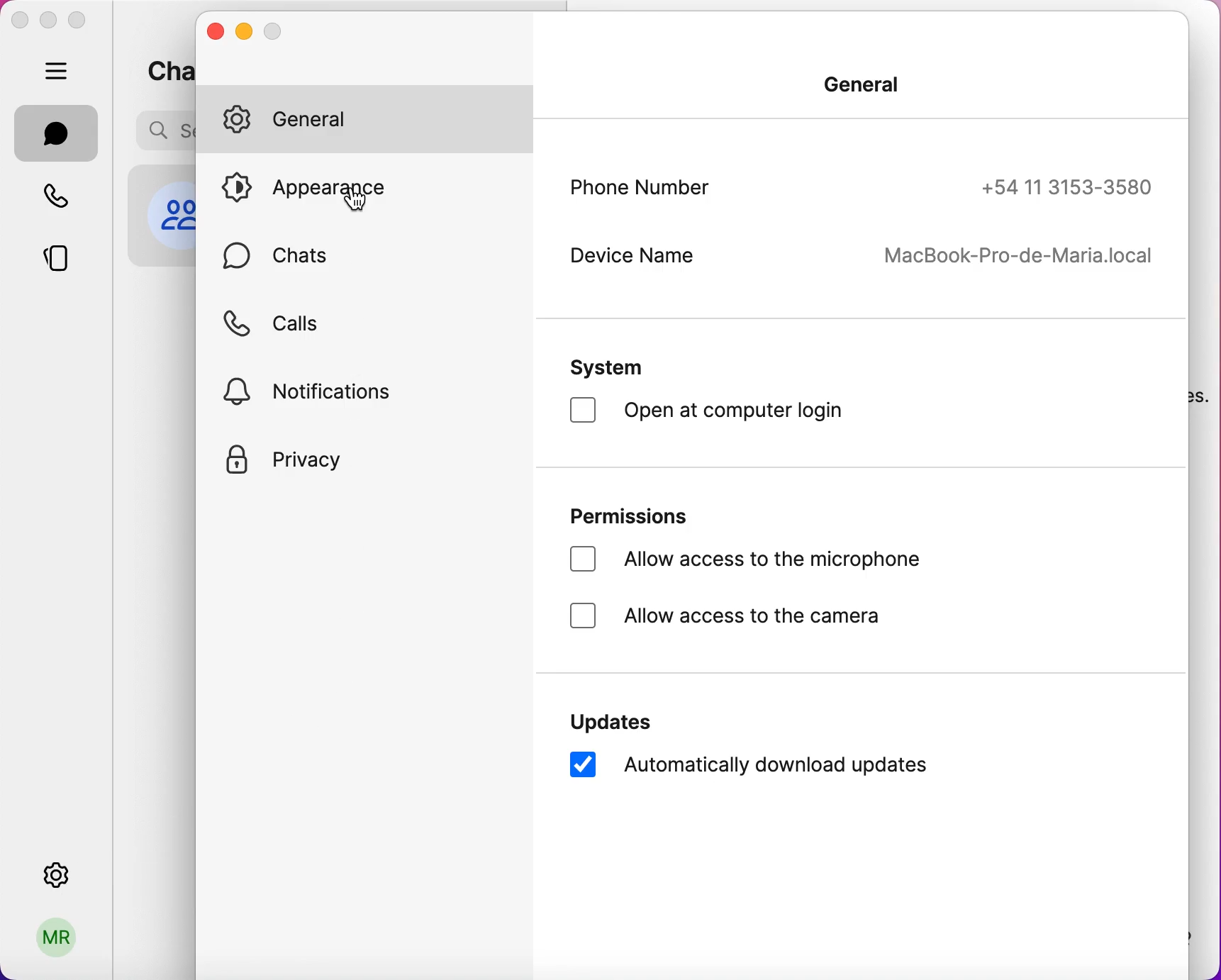 The width and height of the screenshot is (1221, 980). Describe the element at coordinates (622, 366) in the screenshot. I see `system` at that location.